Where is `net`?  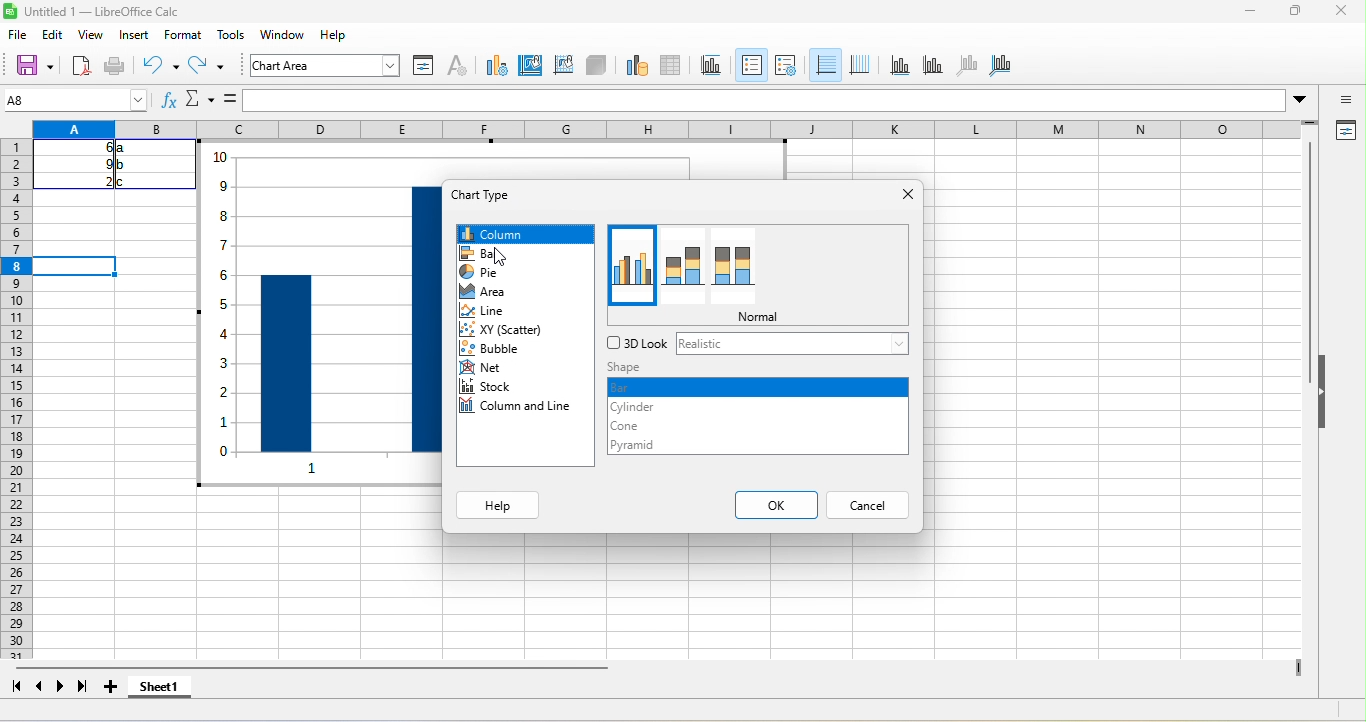
net is located at coordinates (494, 369).